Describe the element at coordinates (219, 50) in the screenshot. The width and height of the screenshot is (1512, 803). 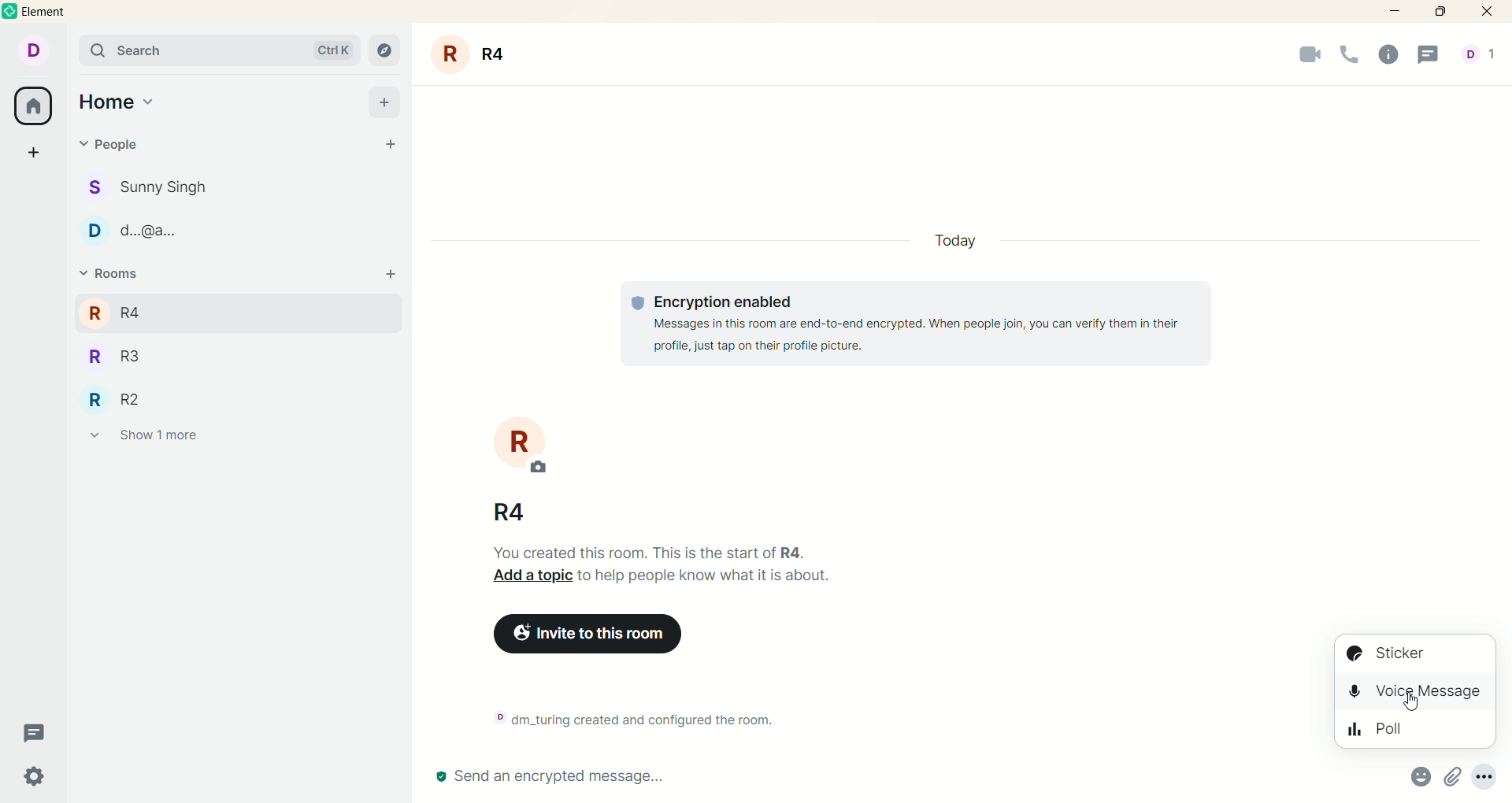
I see `search` at that location.